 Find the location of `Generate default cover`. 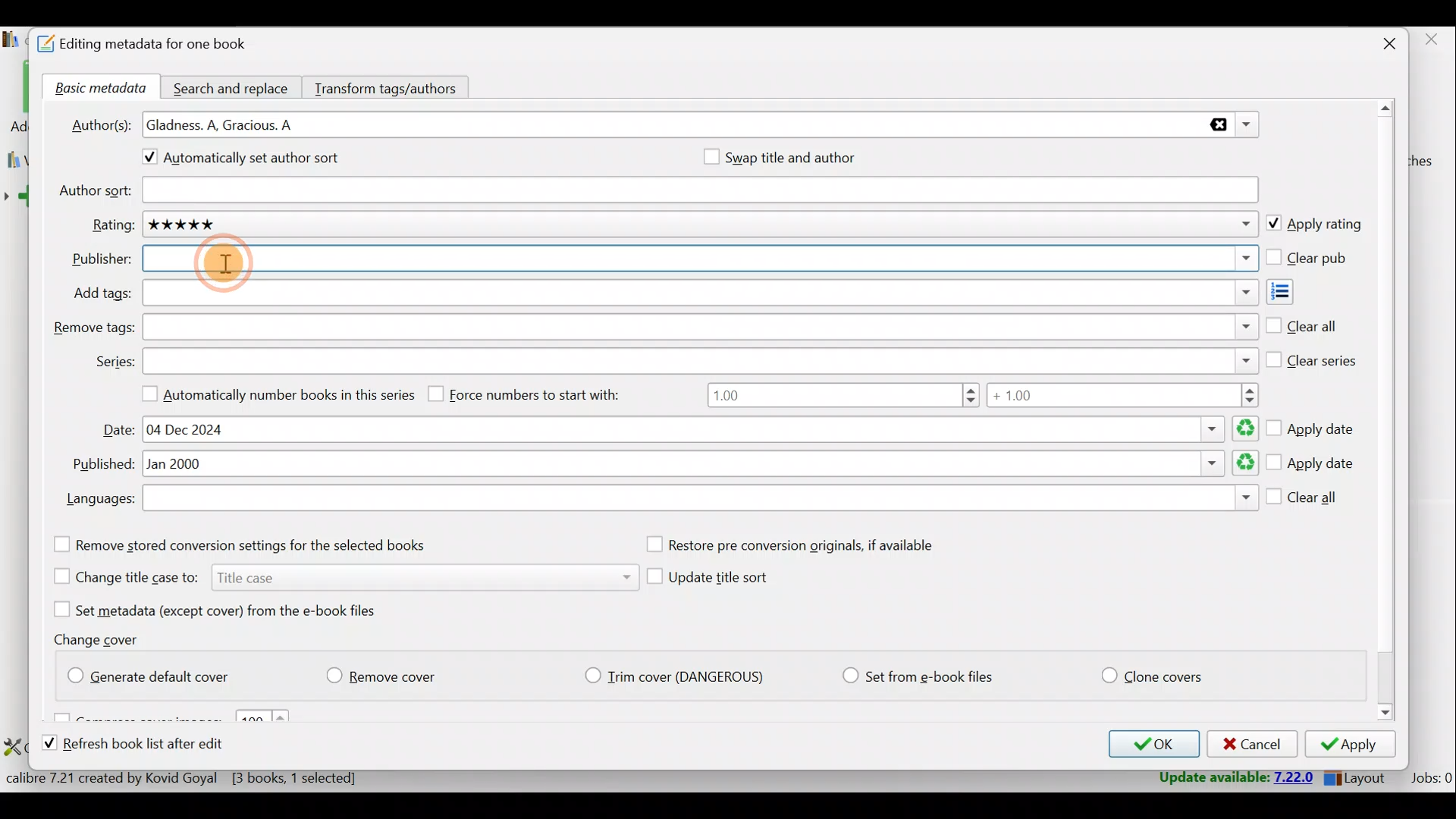

Generate default cover is located at coordinates (156, 673).